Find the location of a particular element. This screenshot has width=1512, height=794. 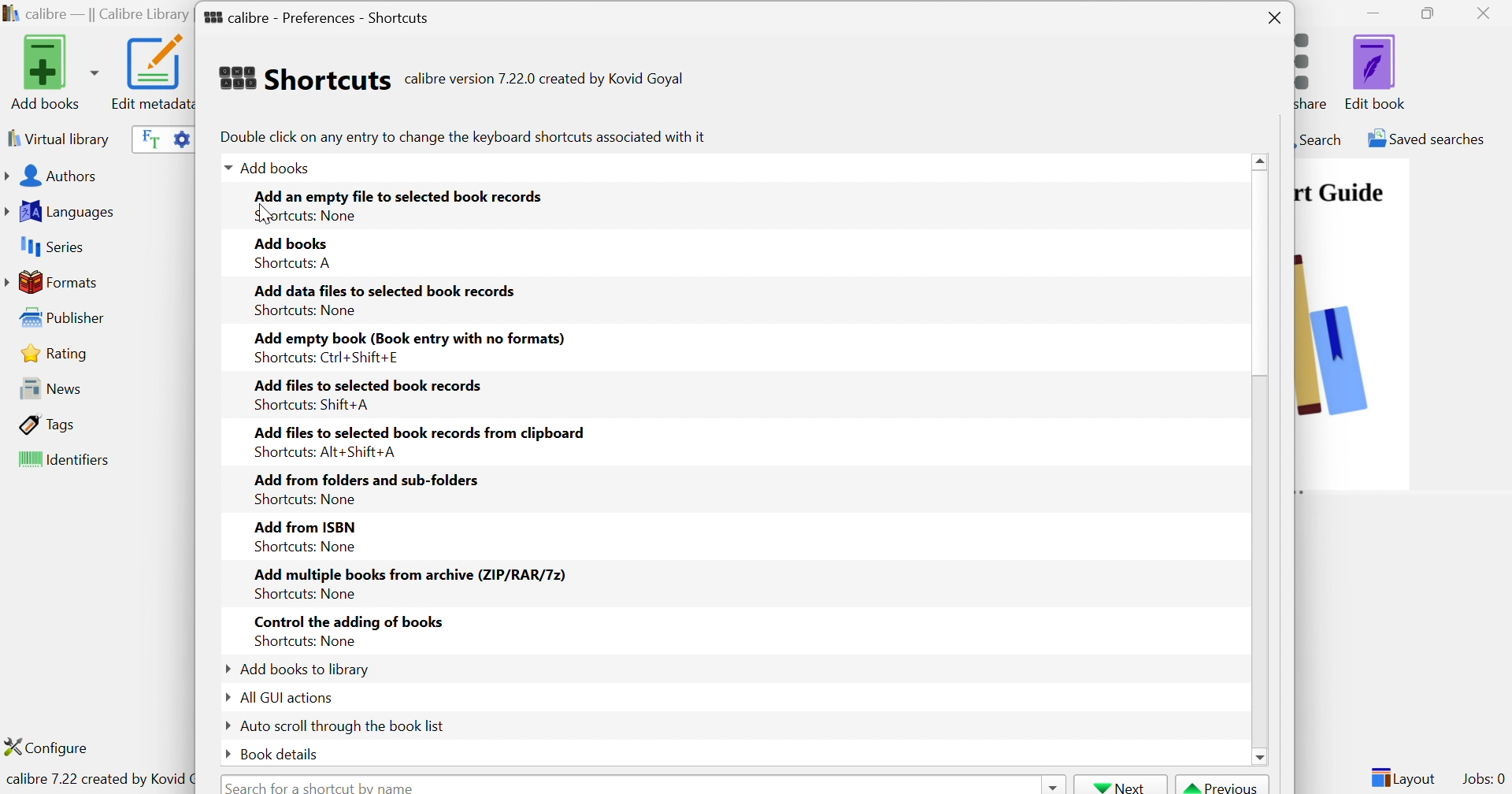

Cursor is located at coordinates (268, 215).